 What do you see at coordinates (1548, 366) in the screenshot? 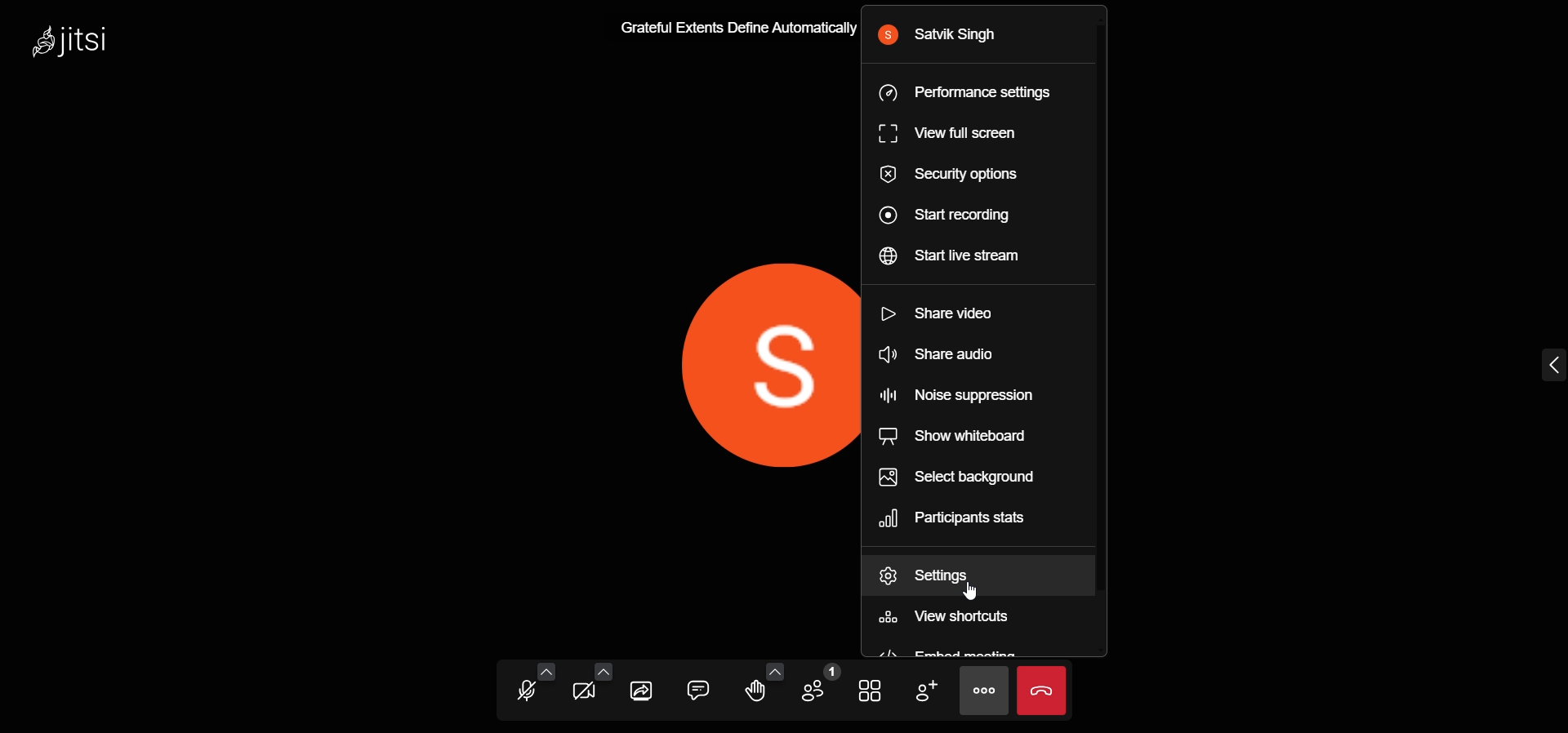
I see `expand` at bounding box center [1548, 366].